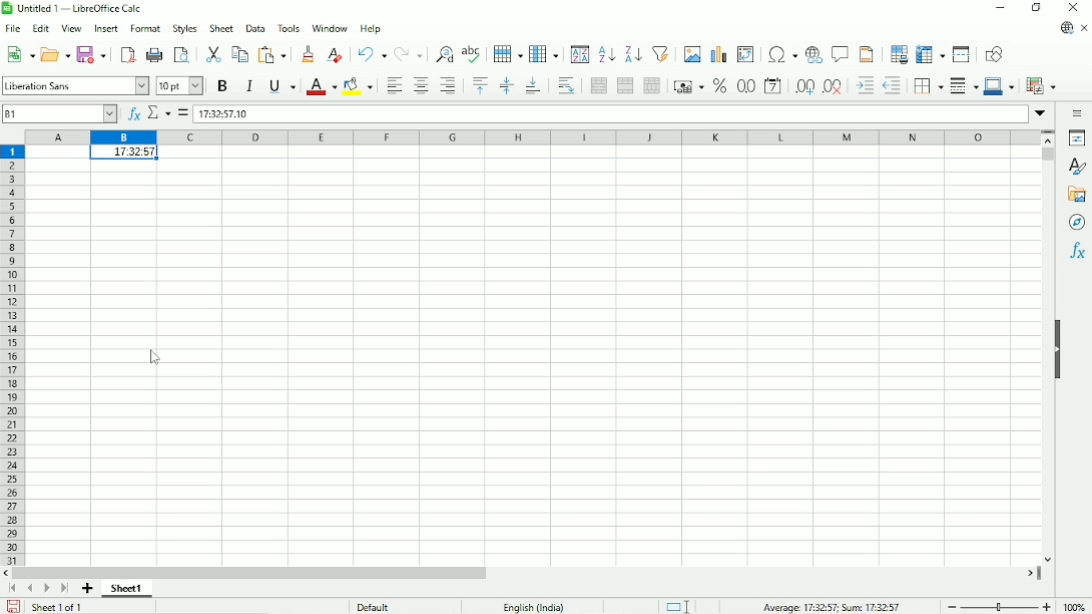 This screenshot has height=614, width=1092. I want to click on Redo, so click(408, 54).